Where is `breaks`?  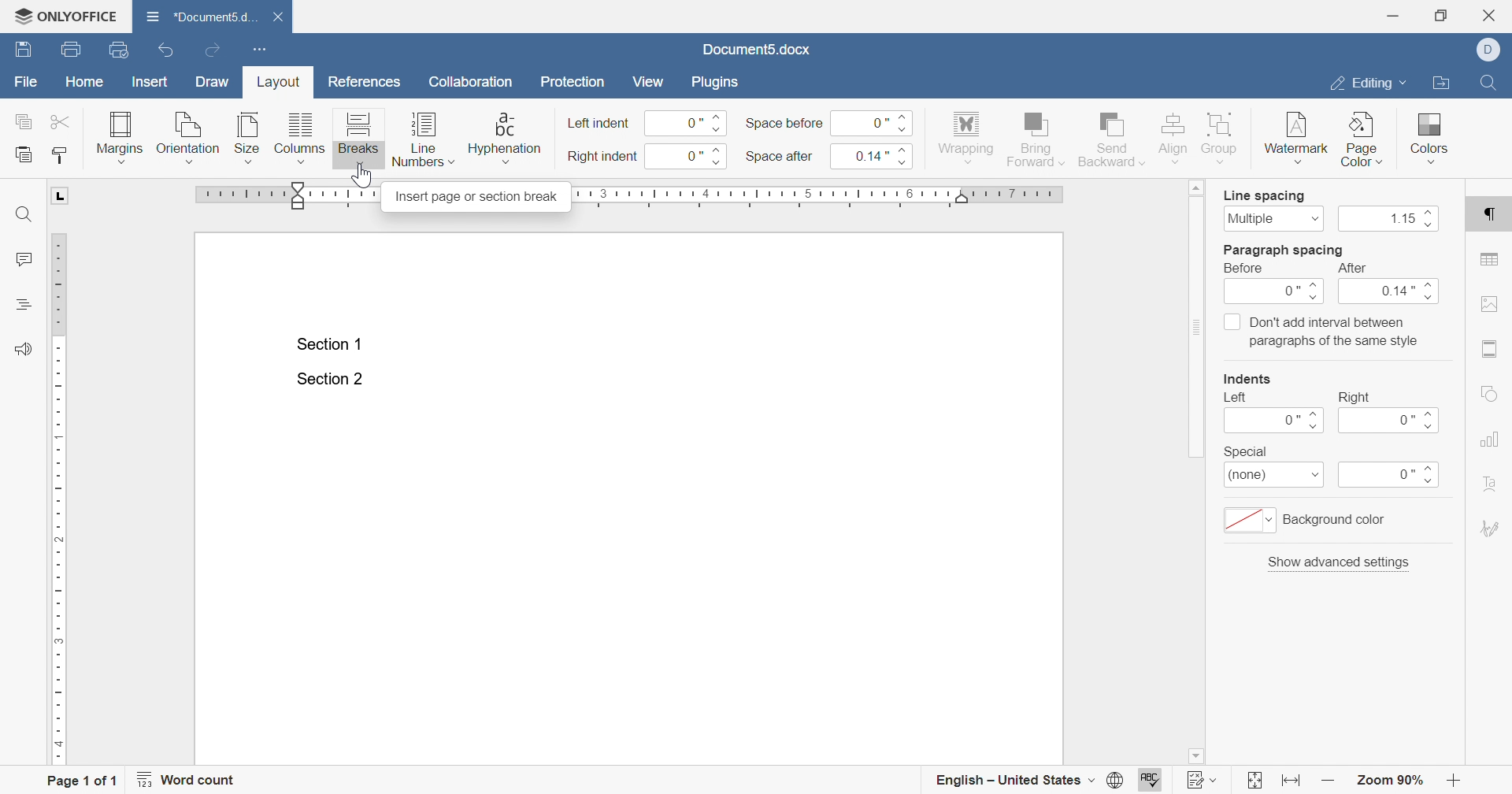
breaks is located at coordinates (359, 138).